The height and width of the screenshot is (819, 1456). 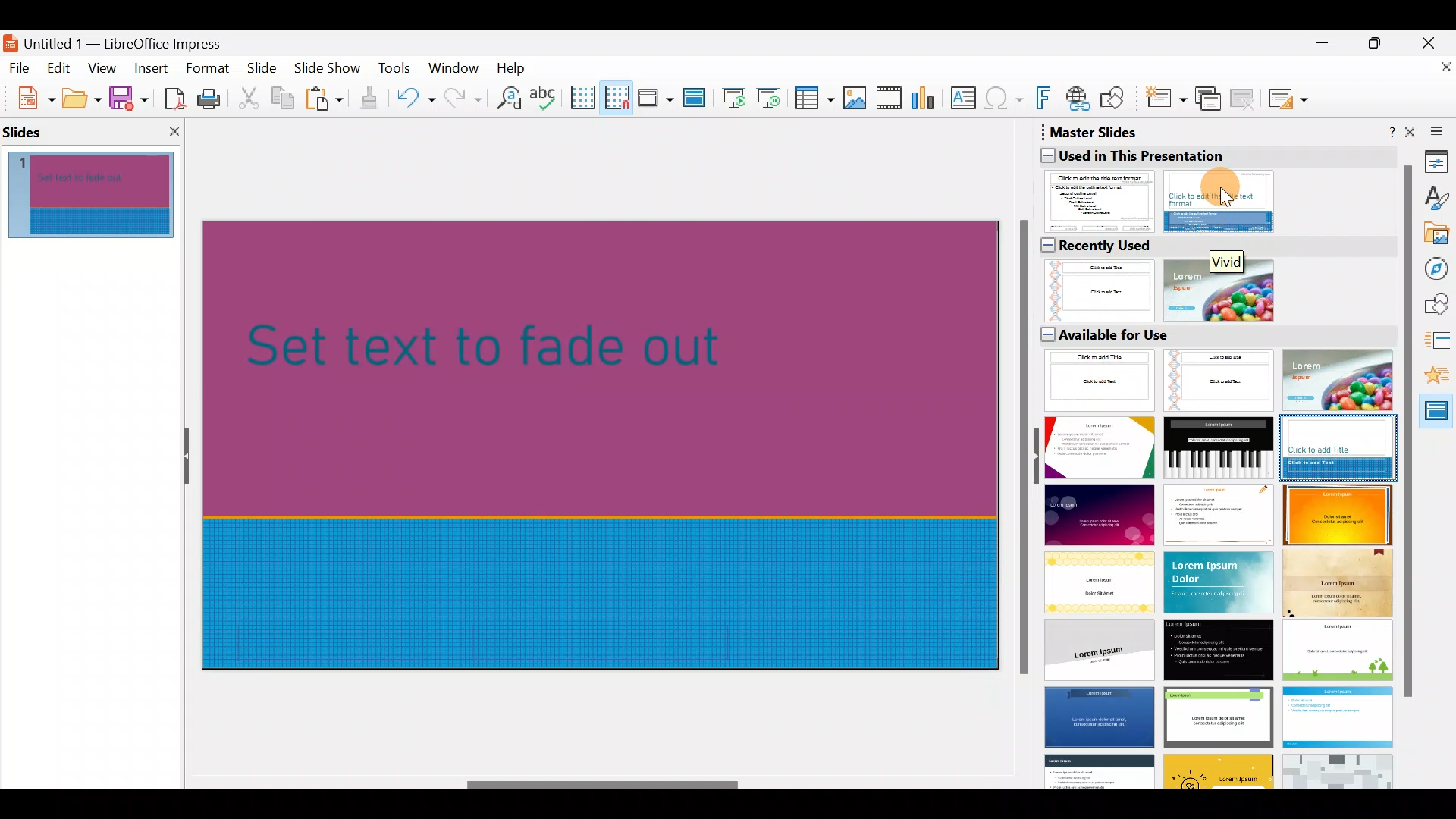 What do you see at coordinates (1439, 380) in the screenshot?
I see `Animation` at bounding box center [1439, 380].